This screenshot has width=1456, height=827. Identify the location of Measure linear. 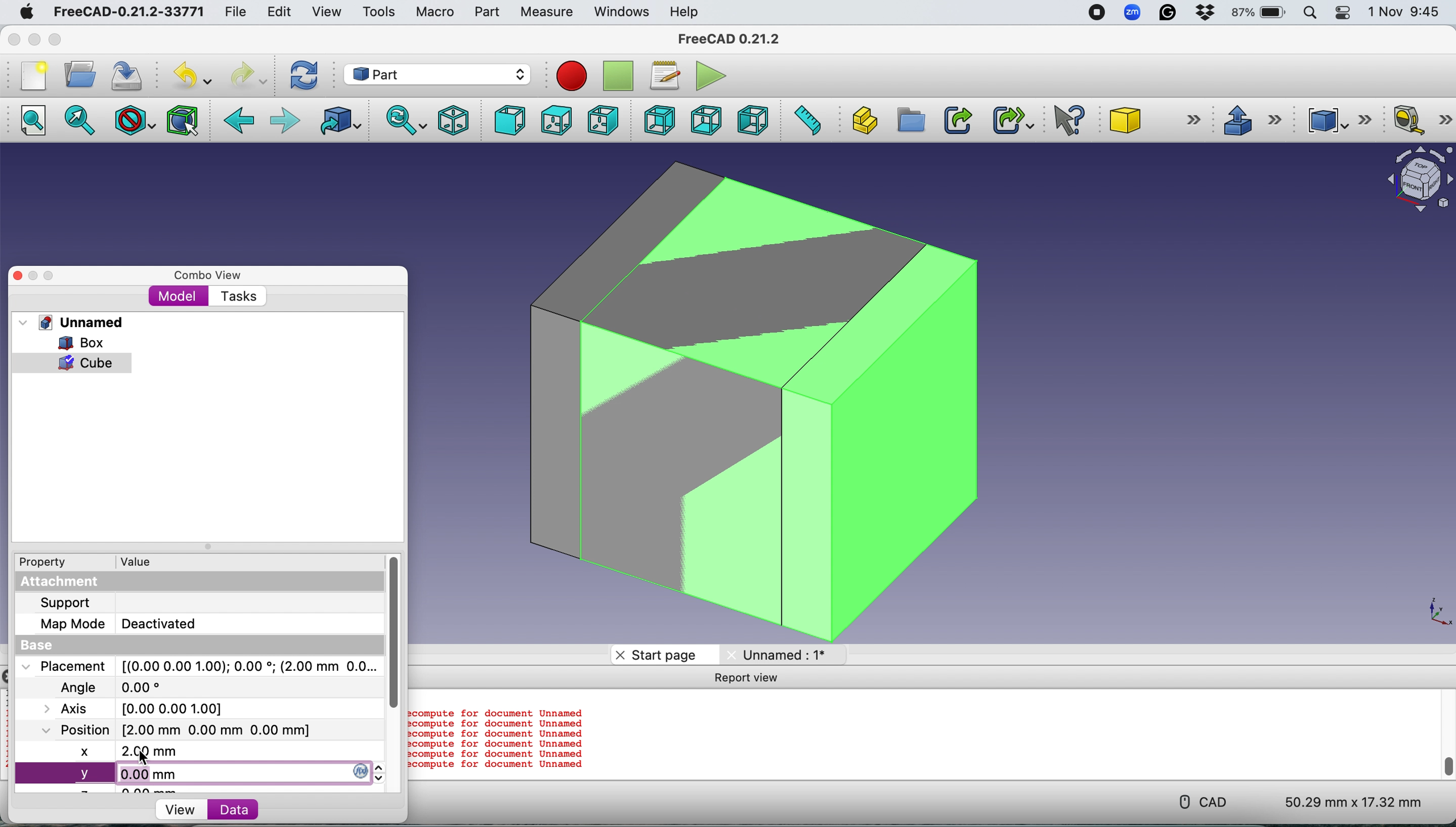
(1422, 122).